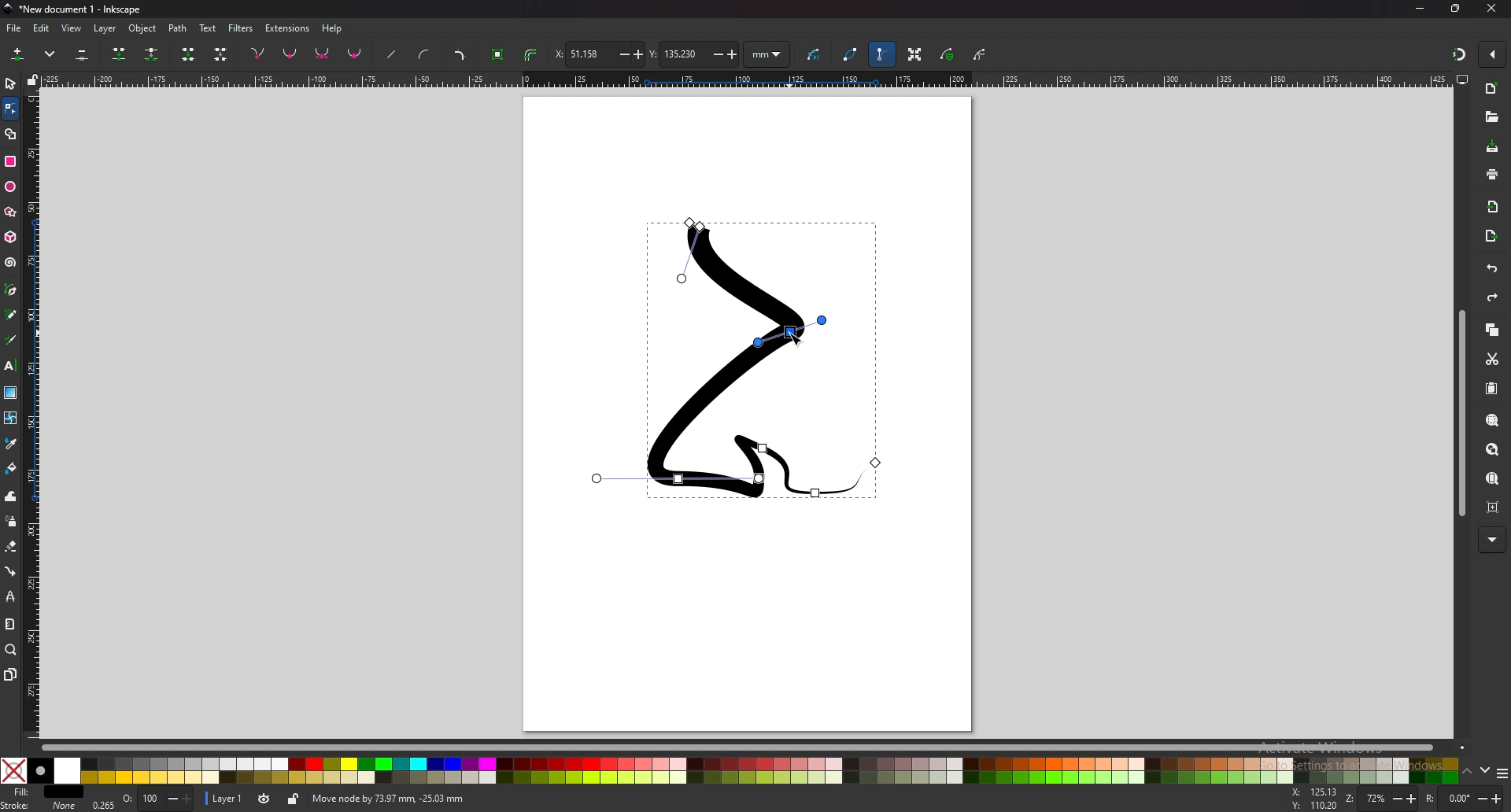  Describe the element at coordinates (744, 81) in the screenshot. I see `horizontal scale` at that location.